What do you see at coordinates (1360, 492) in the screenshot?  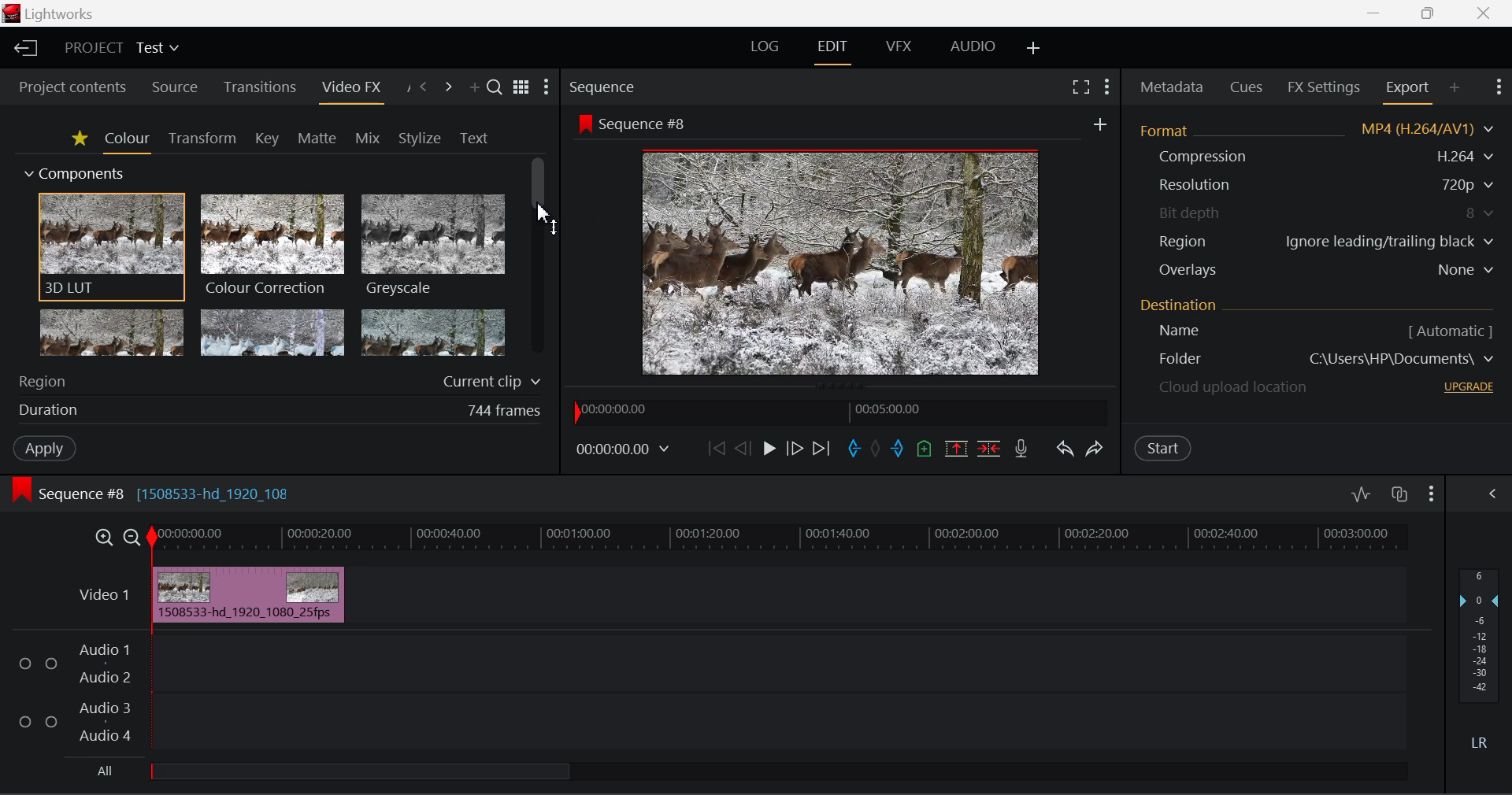 I see `Toggle audio levels editing` at bounding box center [1360, 492].